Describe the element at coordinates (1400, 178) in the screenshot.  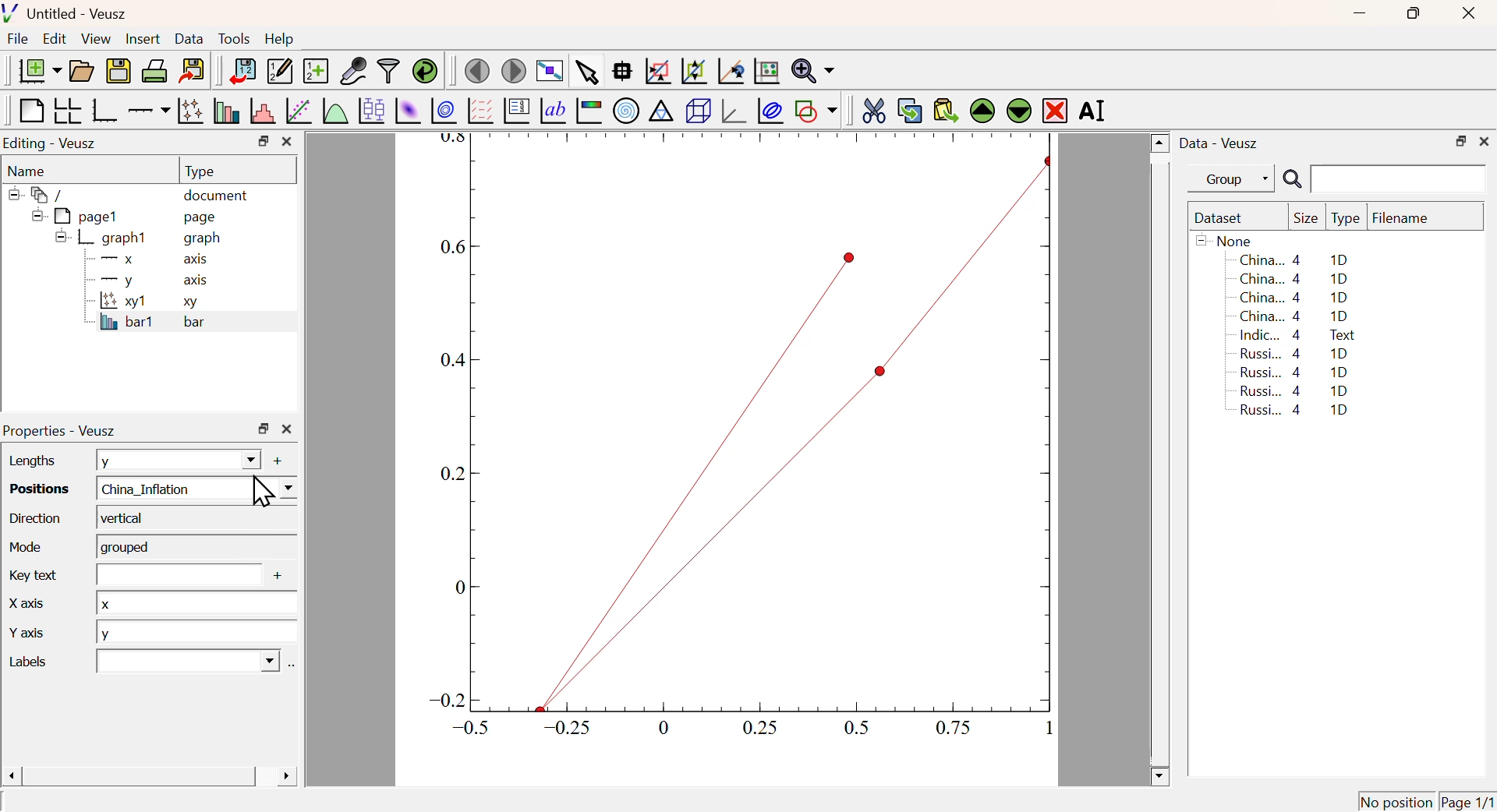
I see `Search Input` at that location.